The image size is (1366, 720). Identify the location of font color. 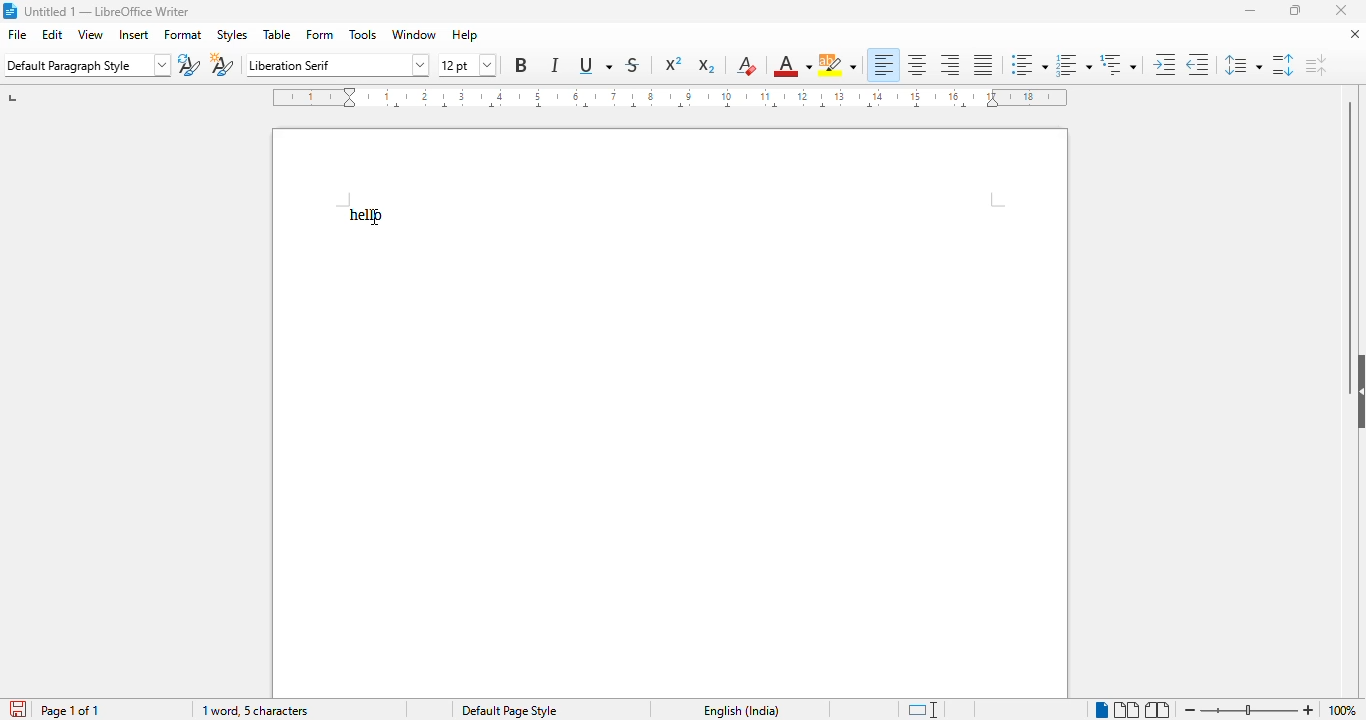
(792, 65).